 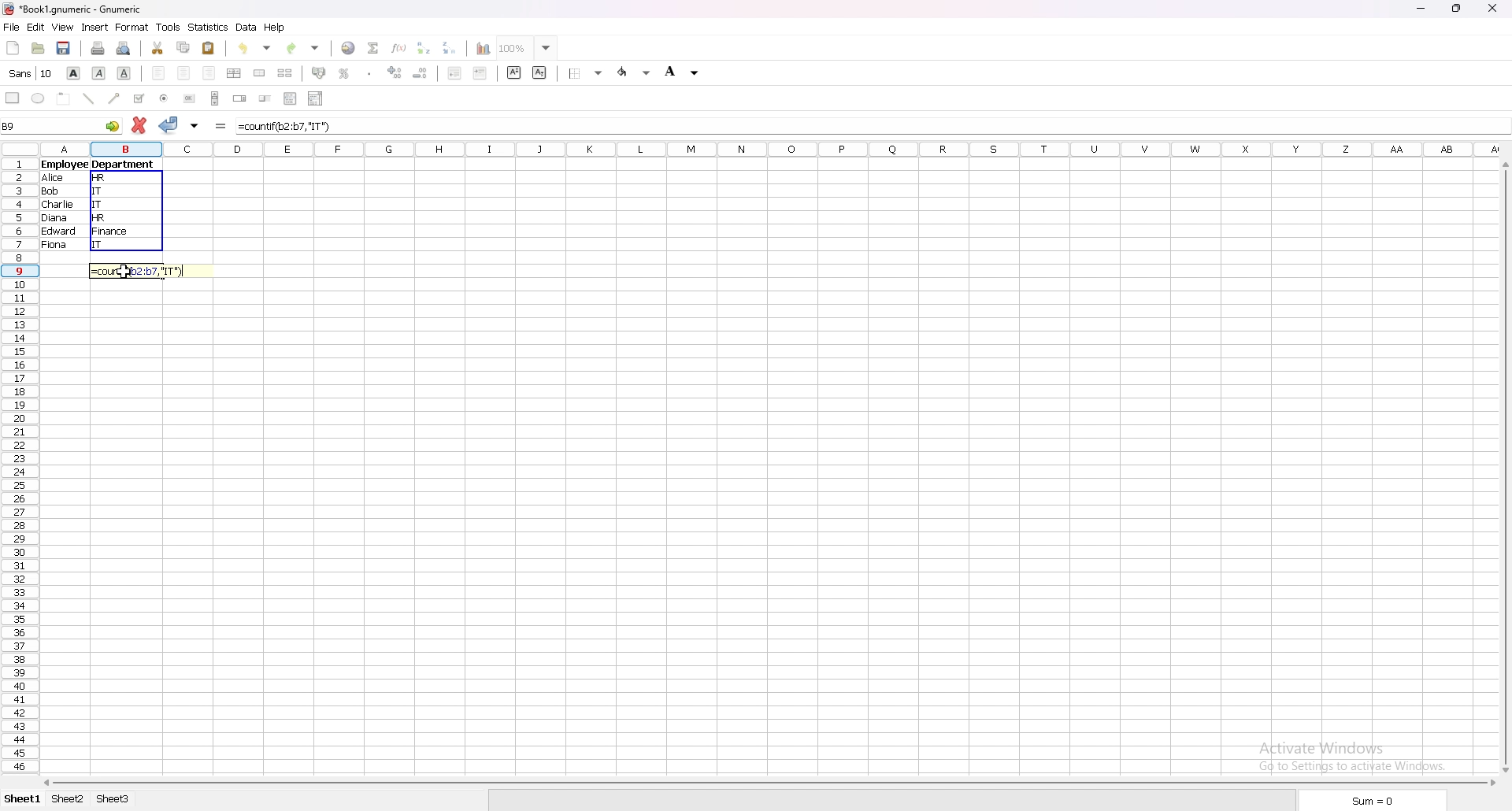 I want to click on selected cell row, so click(x=19, y=463).